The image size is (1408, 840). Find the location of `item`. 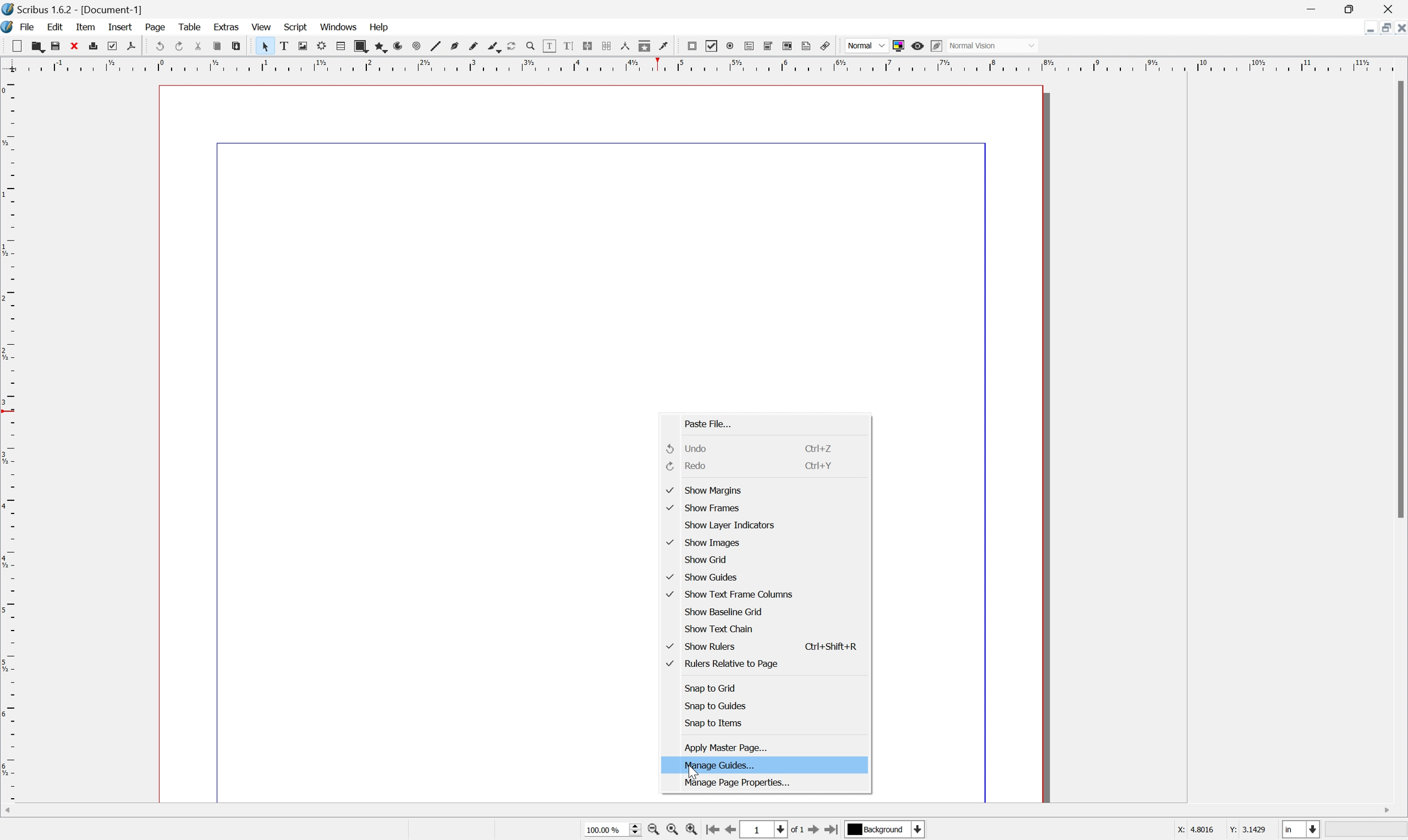

item is located at coordinates (84, 27).